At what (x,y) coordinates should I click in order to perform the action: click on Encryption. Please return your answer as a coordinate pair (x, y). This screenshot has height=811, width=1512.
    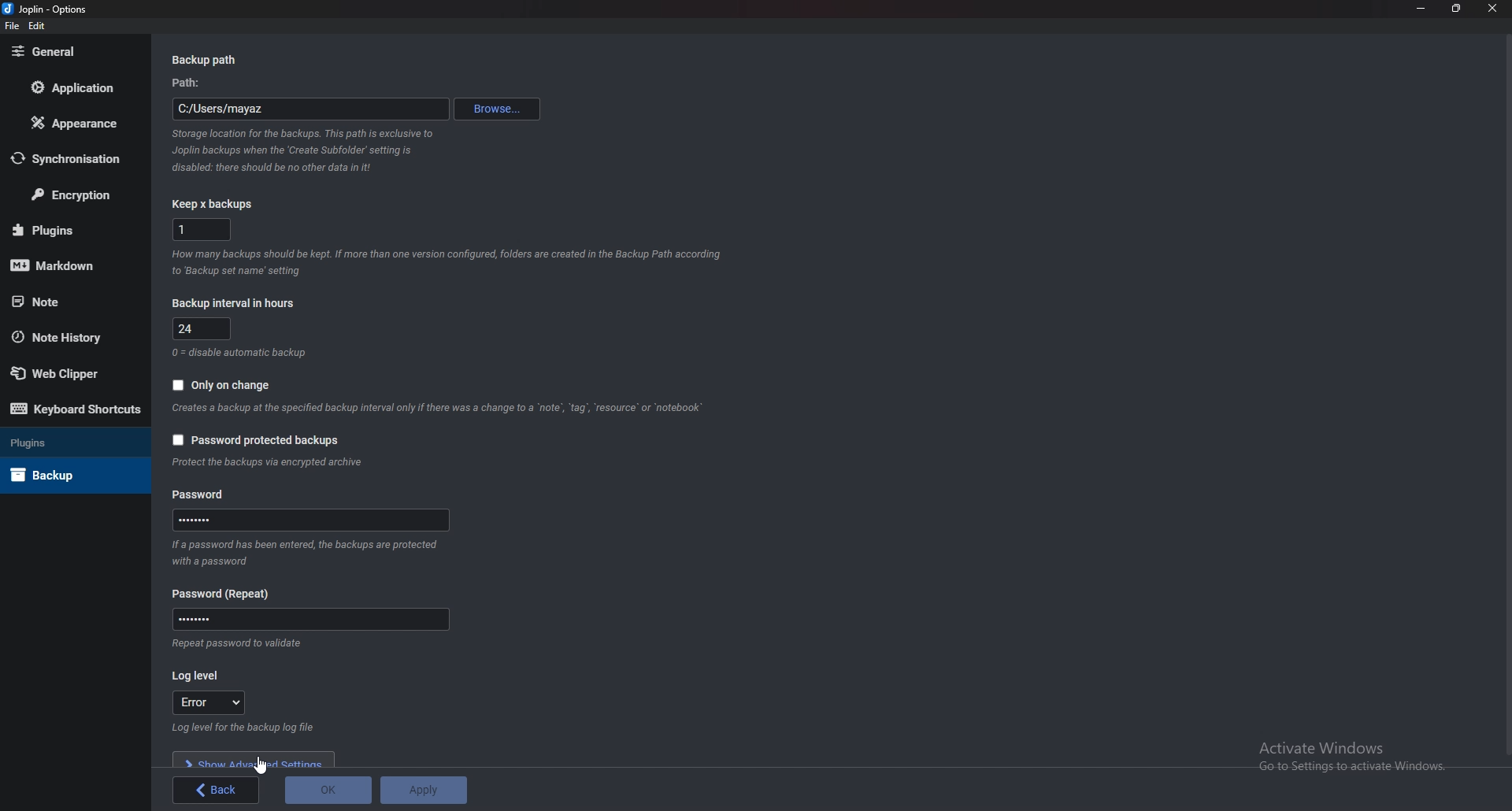
    Looking at the image, I should click on (73, 194).